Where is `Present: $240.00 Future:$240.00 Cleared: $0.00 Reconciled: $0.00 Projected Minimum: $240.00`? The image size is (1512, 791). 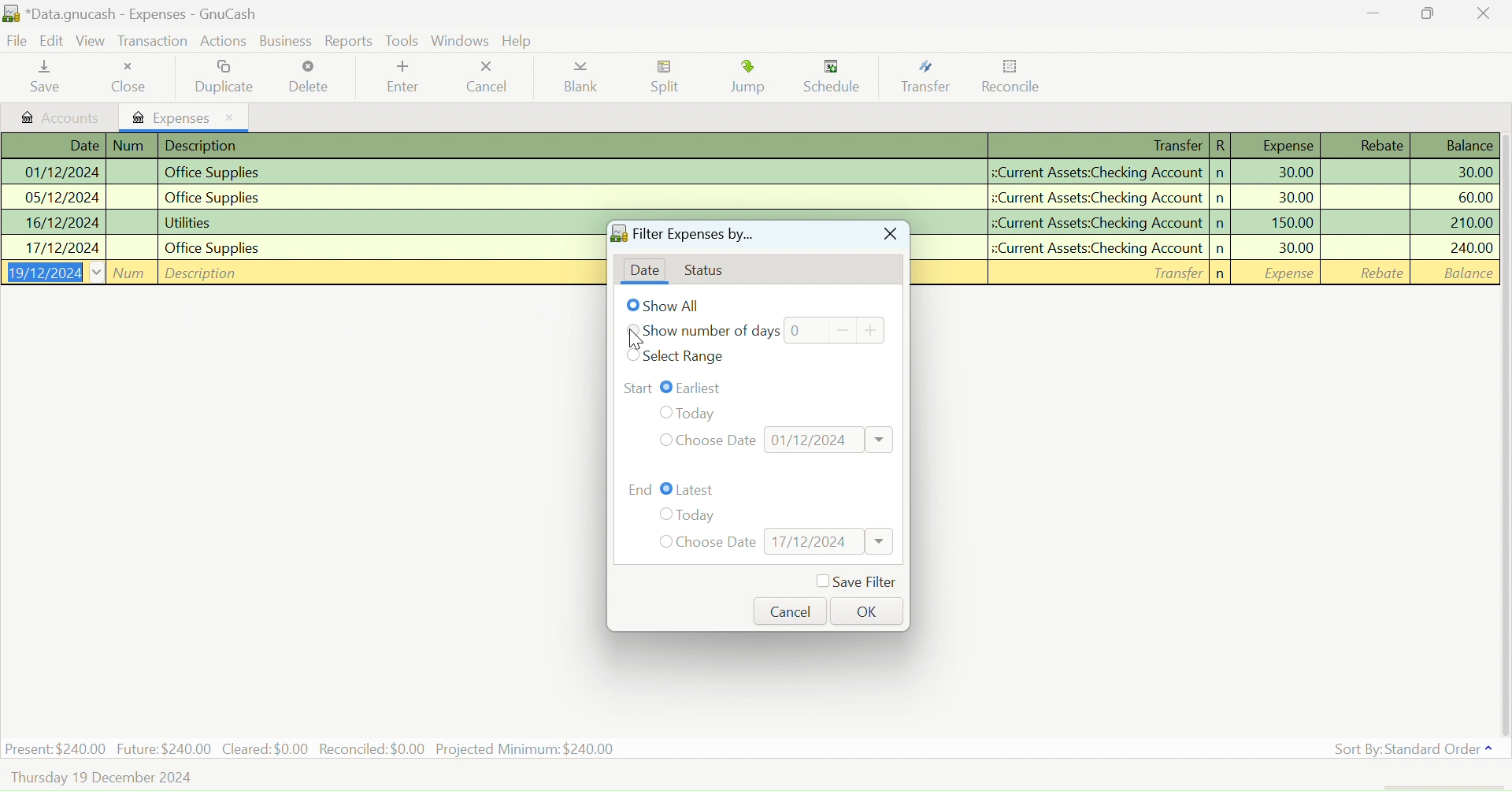 Present: $240.00 Future:$240.00 Cleared: $0.00 Reconciled: $0.00 Projected Minimum: $240.00 is located at coordinates (312, 748).